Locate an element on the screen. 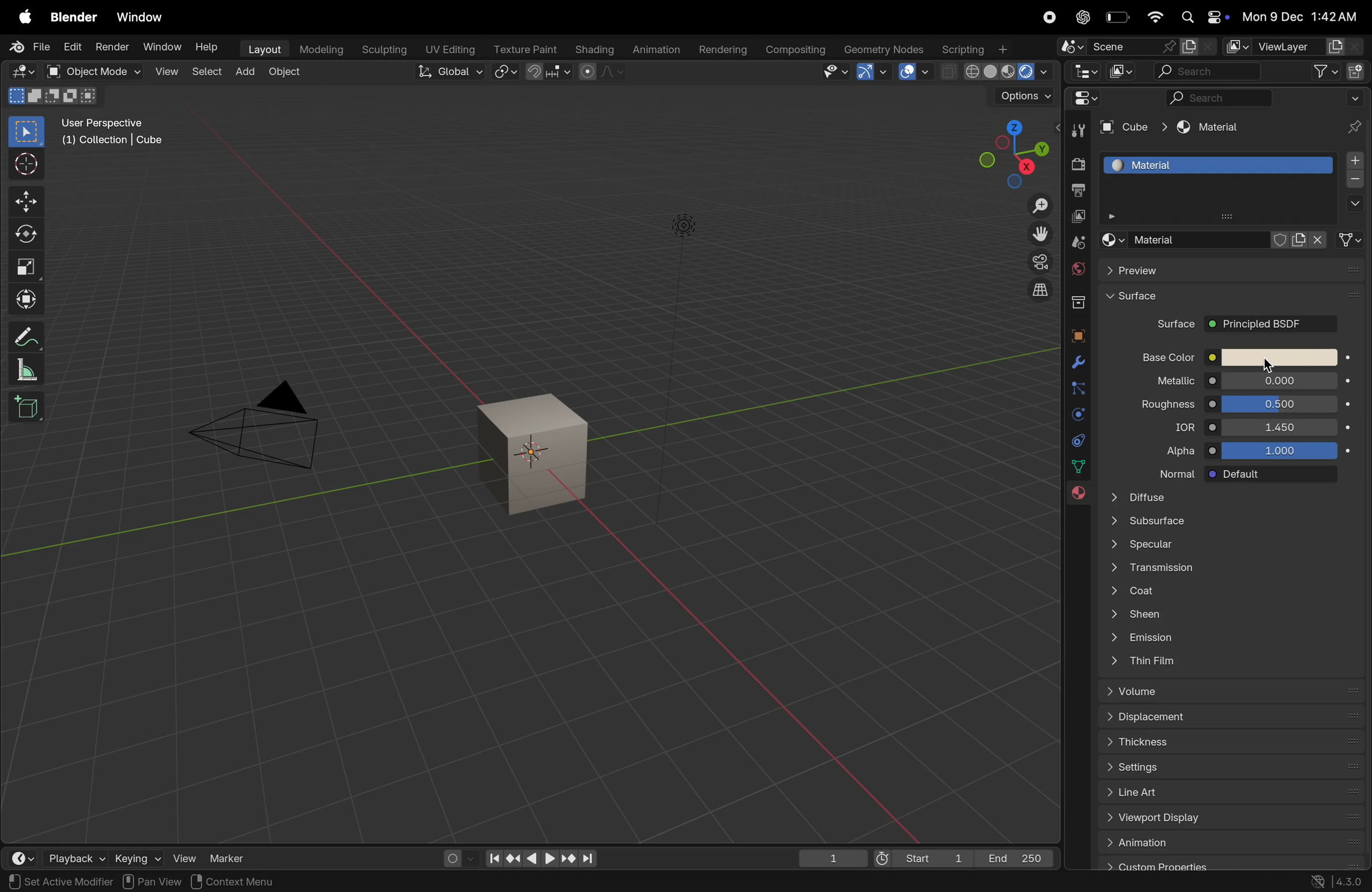  volume is located at coordinates (1227, 691).